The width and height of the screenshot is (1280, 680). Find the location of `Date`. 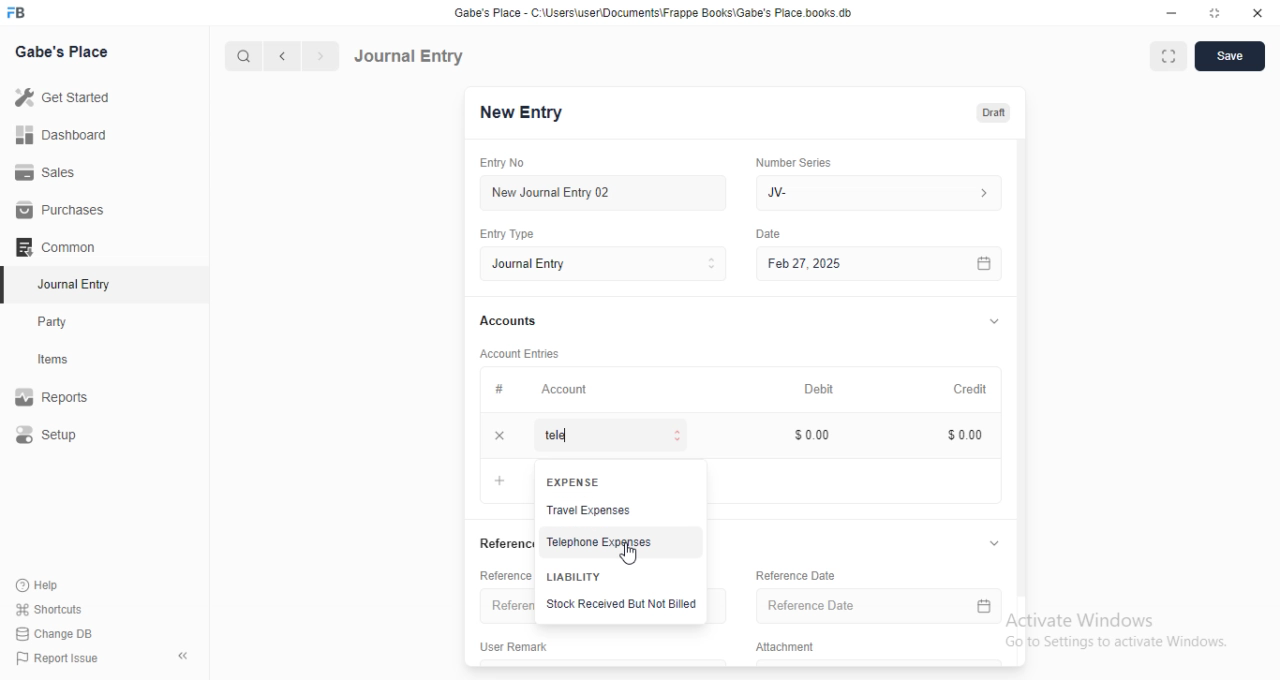

Date is located at coordinates (772, 232).